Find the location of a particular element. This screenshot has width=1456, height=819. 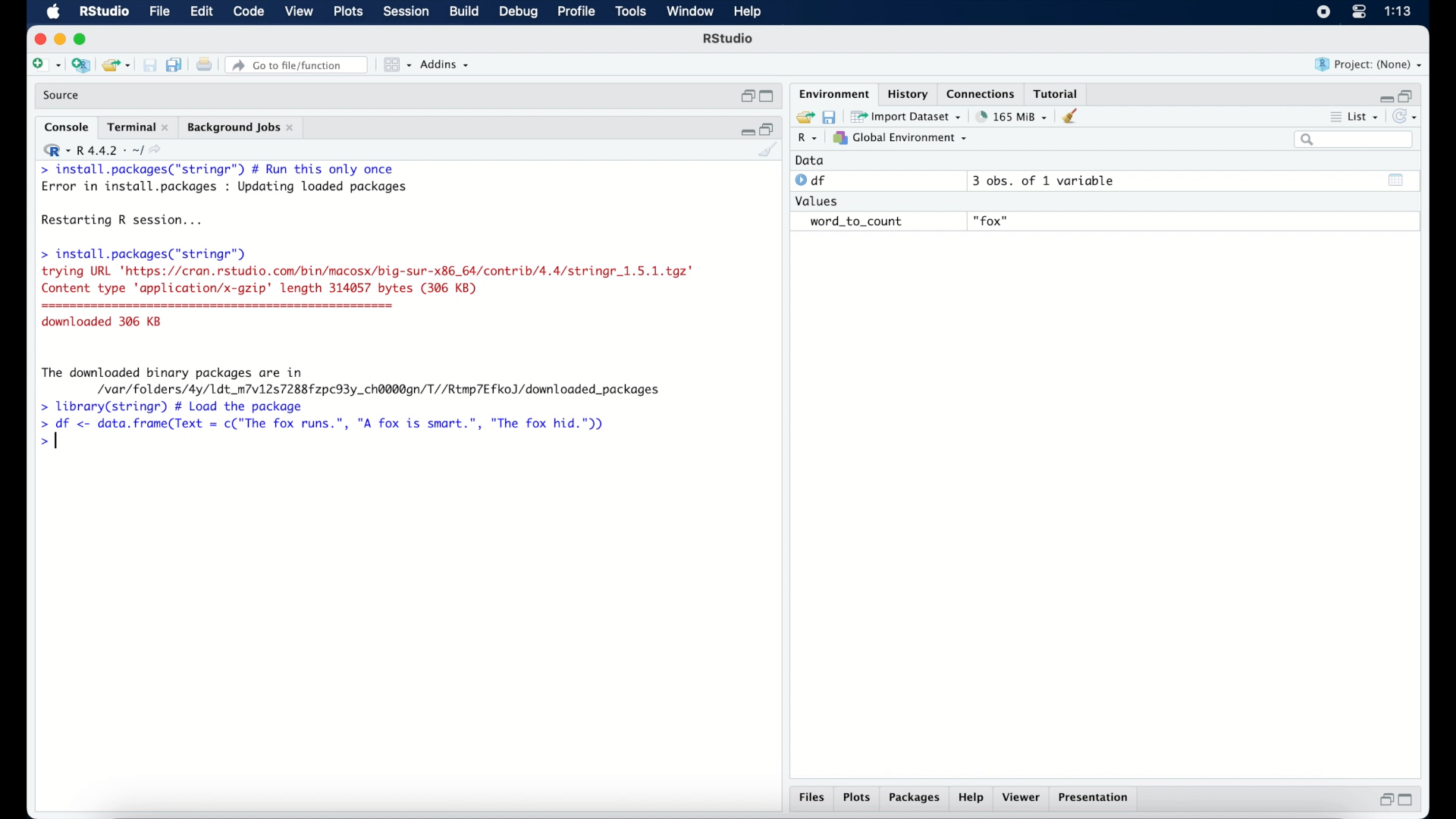

load existing project is located at coordinates (119, 66).